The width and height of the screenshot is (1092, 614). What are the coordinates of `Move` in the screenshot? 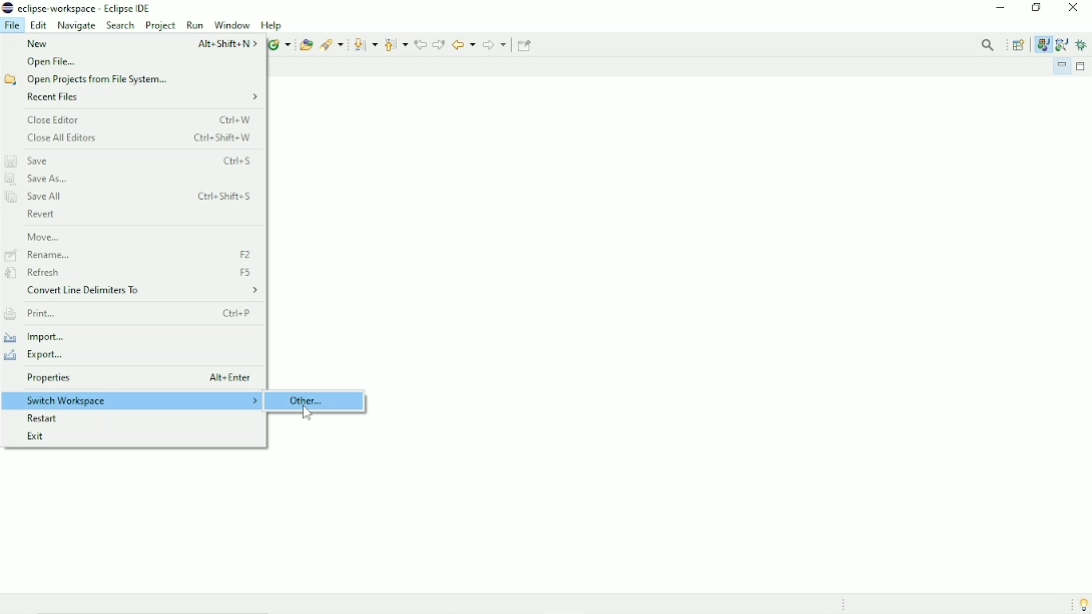 It's located at (44, 236).